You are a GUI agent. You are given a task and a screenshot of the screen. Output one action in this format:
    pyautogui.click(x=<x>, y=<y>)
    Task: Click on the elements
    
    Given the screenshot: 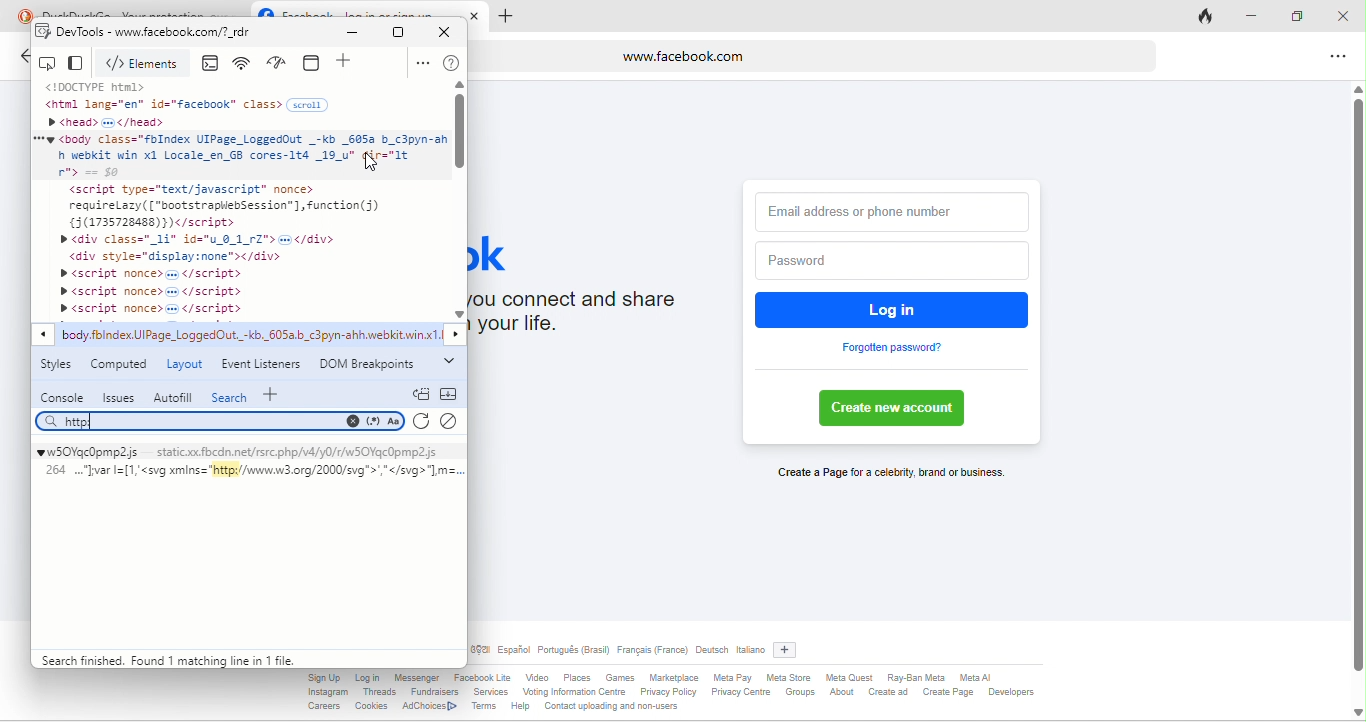 What is the action you would take?
    pyautogui.click(x=146, y=64)
    